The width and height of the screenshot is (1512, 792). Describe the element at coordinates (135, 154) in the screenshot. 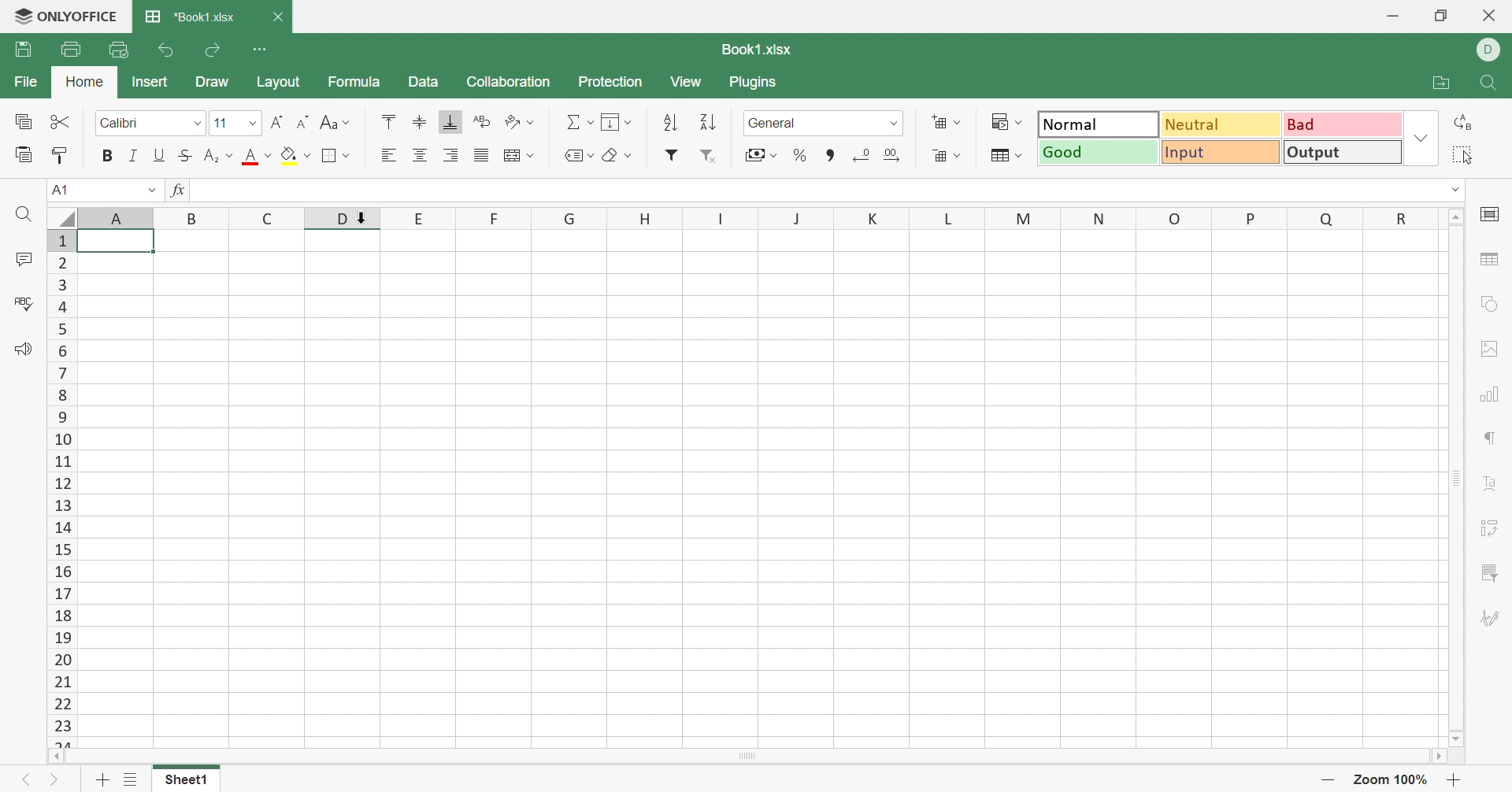

I see `Italic` at that location.